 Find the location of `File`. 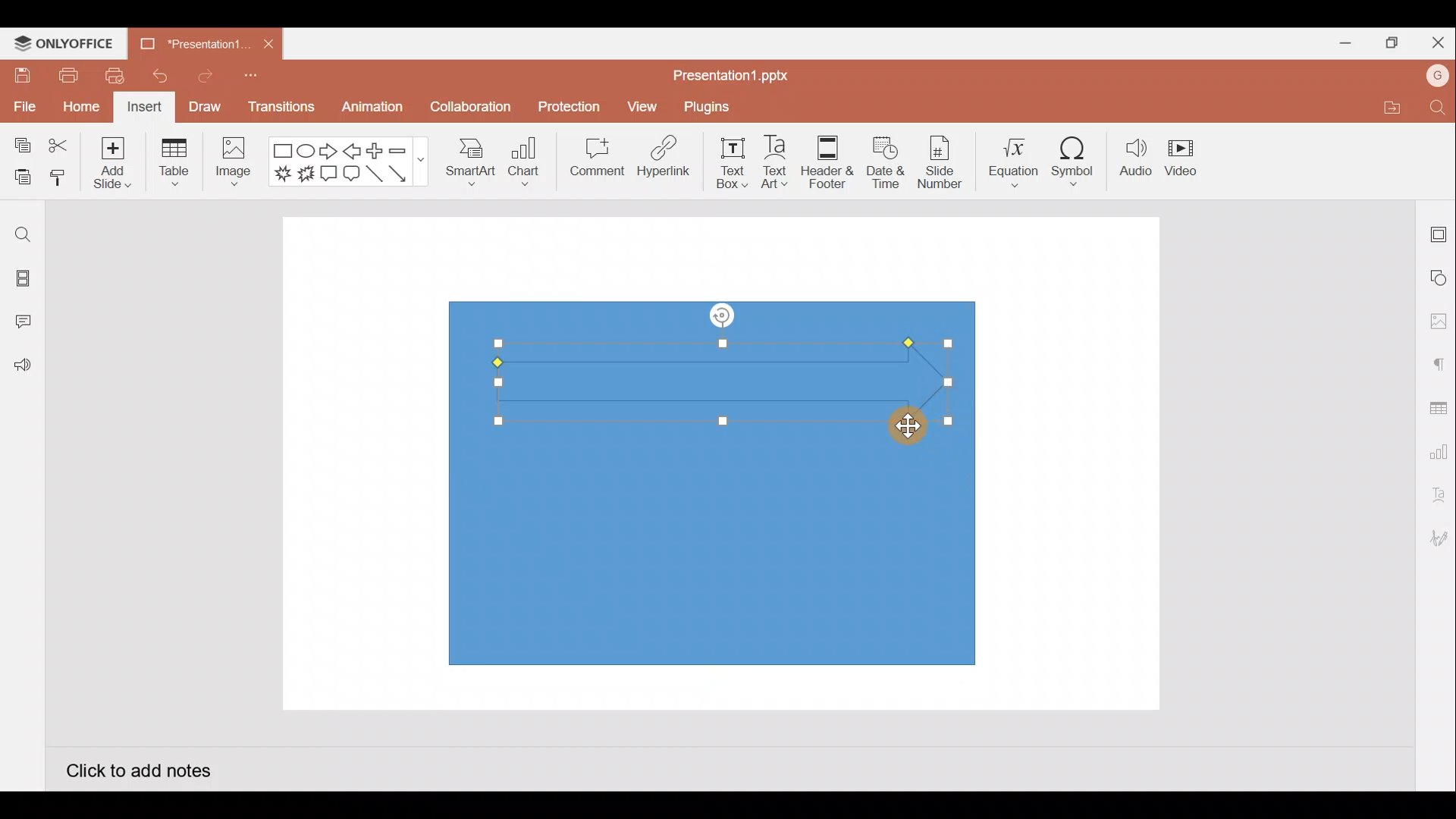

File is located at coordinates (23, 104).